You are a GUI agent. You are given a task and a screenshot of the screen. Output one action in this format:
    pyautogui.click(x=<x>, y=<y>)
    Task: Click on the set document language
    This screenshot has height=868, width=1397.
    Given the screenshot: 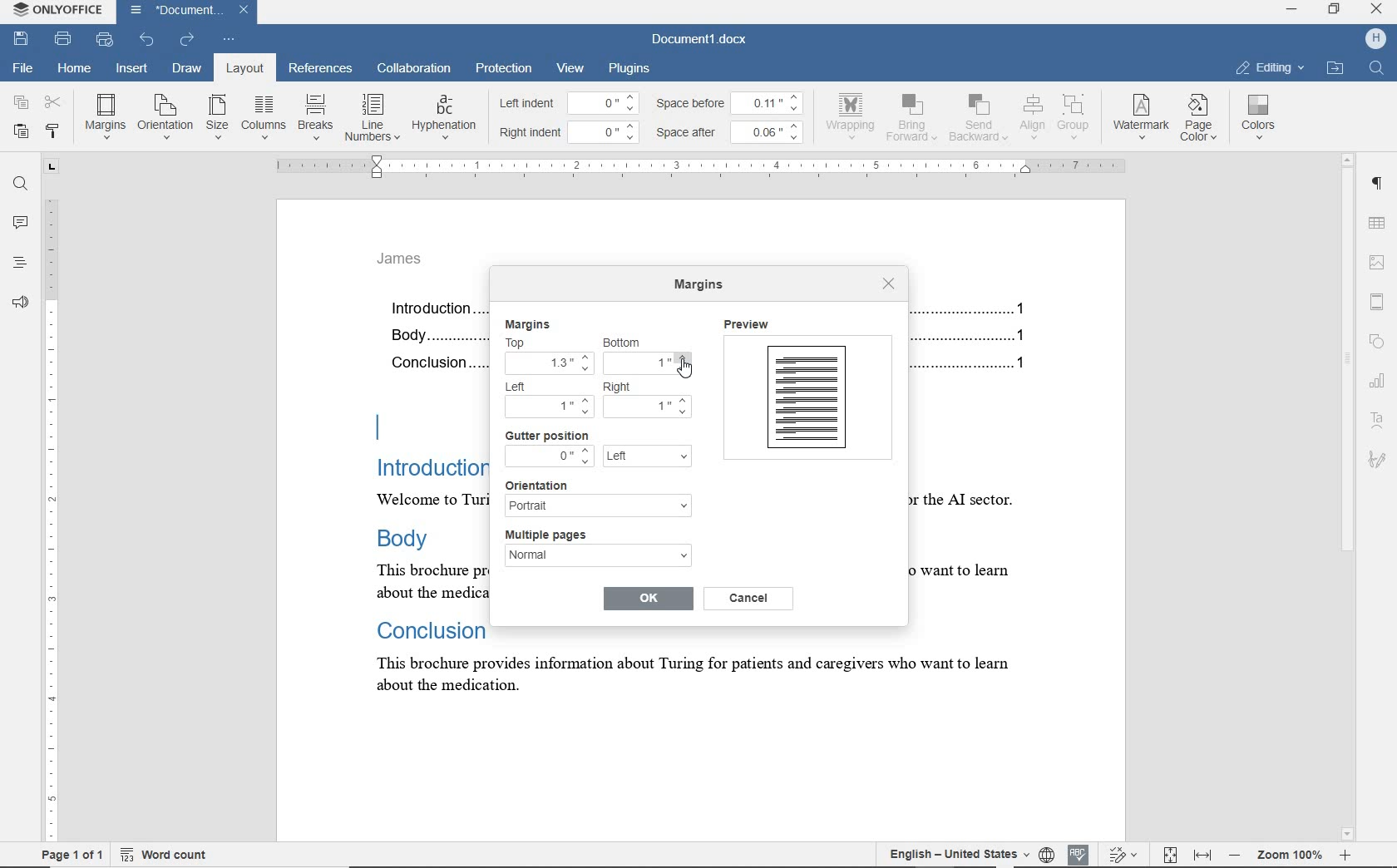 What is the action you would take?
    pyautogui.click(x=1046, y=852)
    